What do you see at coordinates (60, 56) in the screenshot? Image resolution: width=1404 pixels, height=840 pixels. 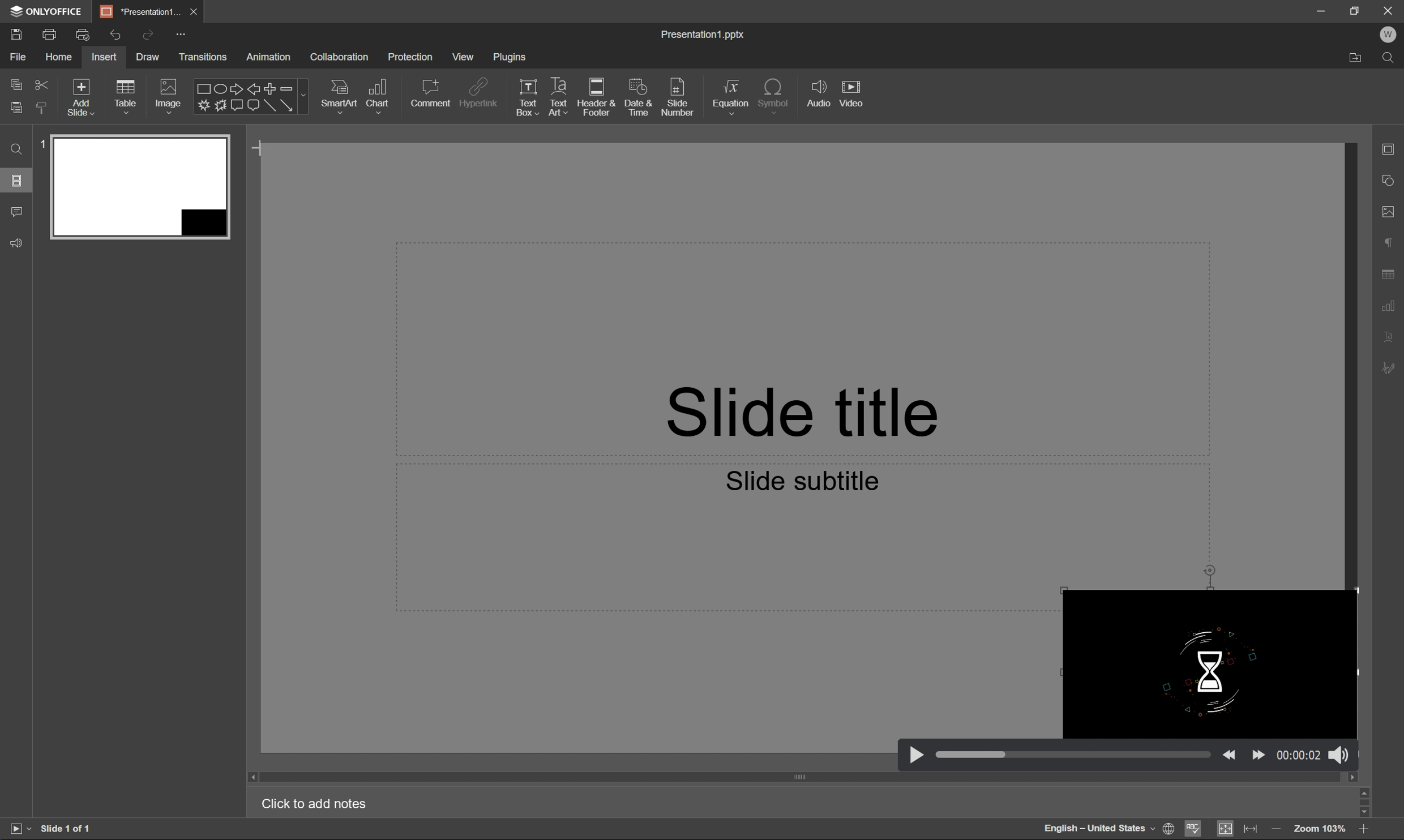 I see `home` at bounding box center [60, 56].